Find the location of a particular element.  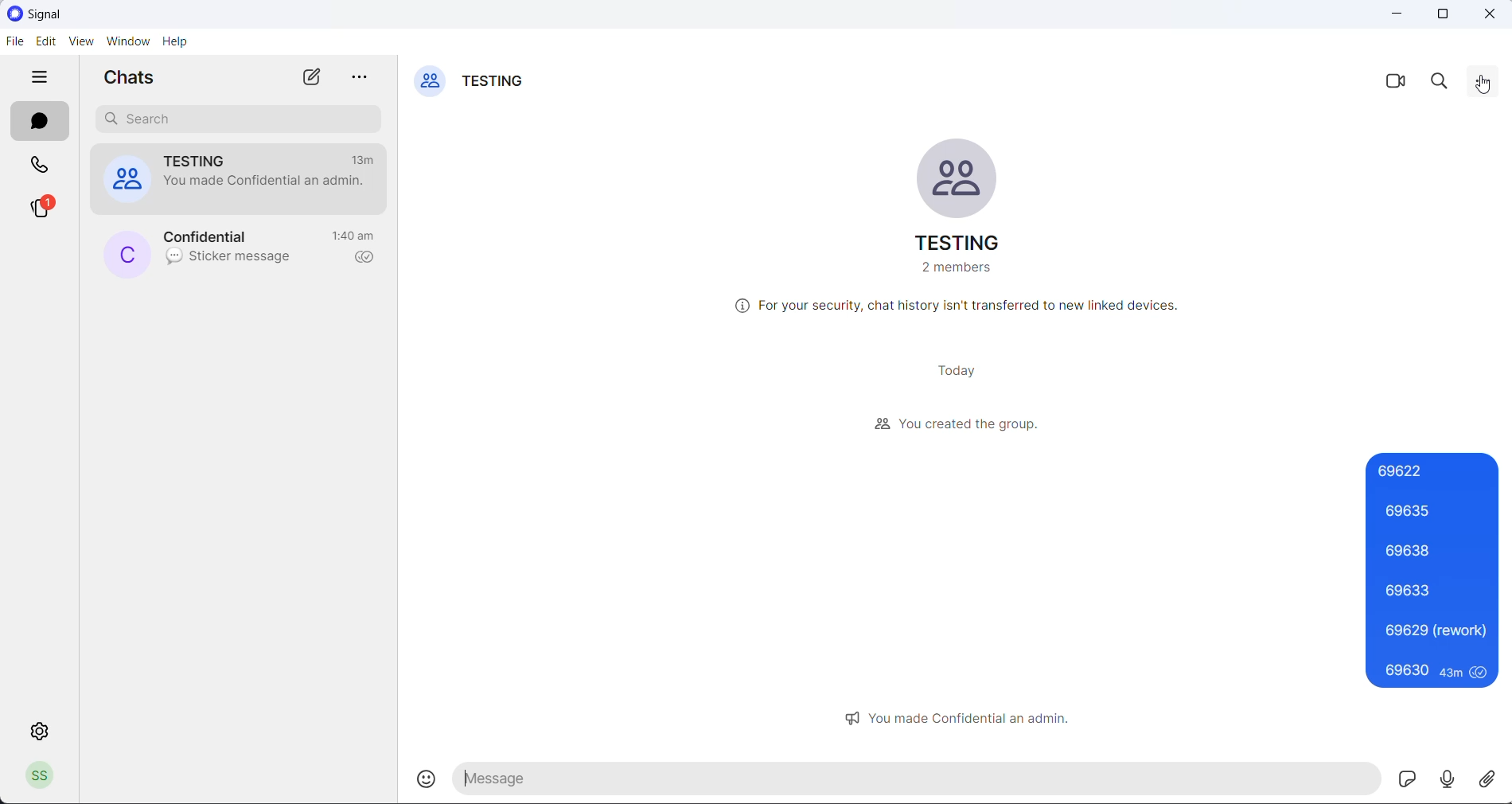

calls is located at coordinates (41, 168).